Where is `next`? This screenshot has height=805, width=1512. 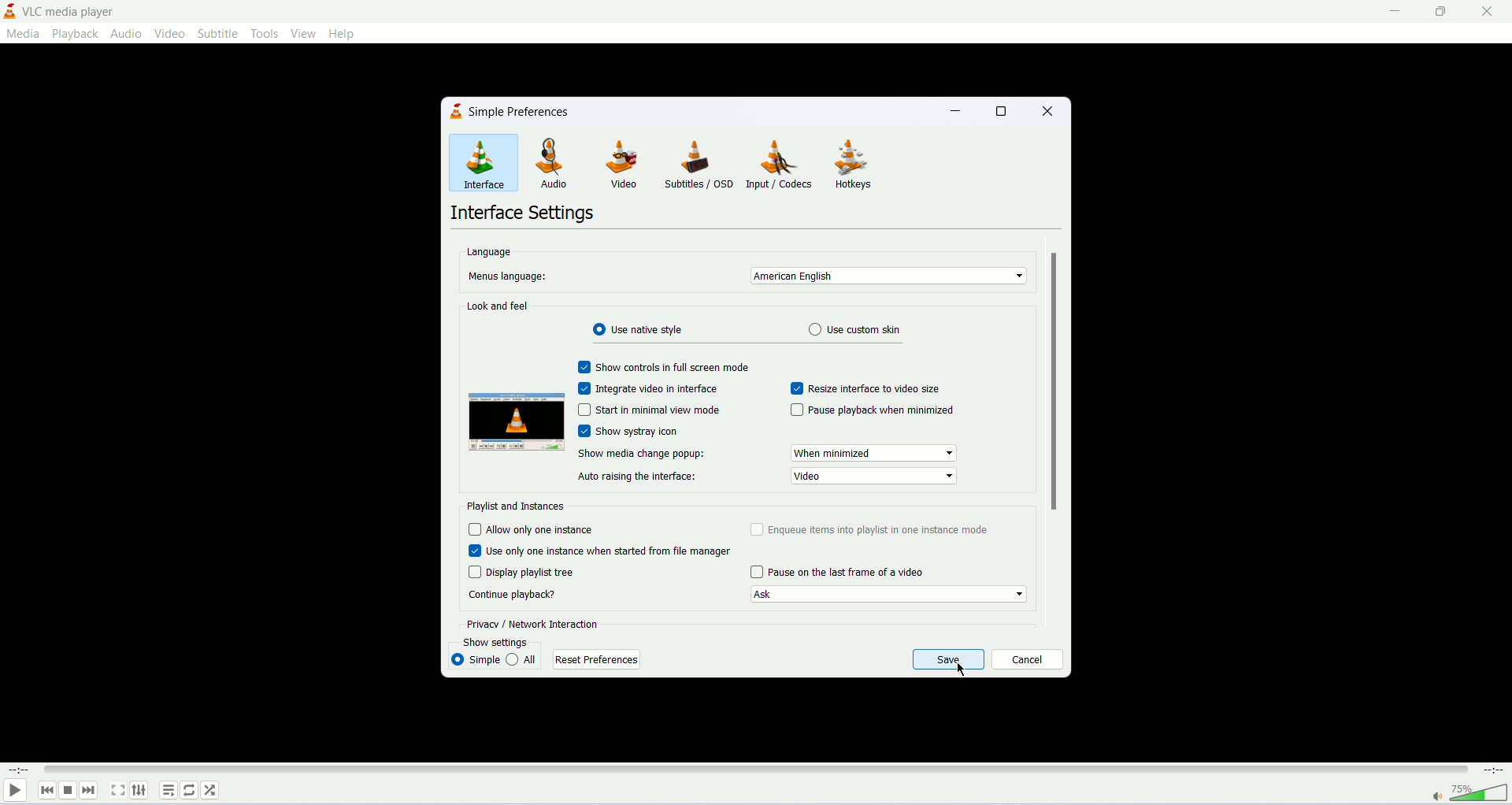 next is located at coordinates (88, 790).